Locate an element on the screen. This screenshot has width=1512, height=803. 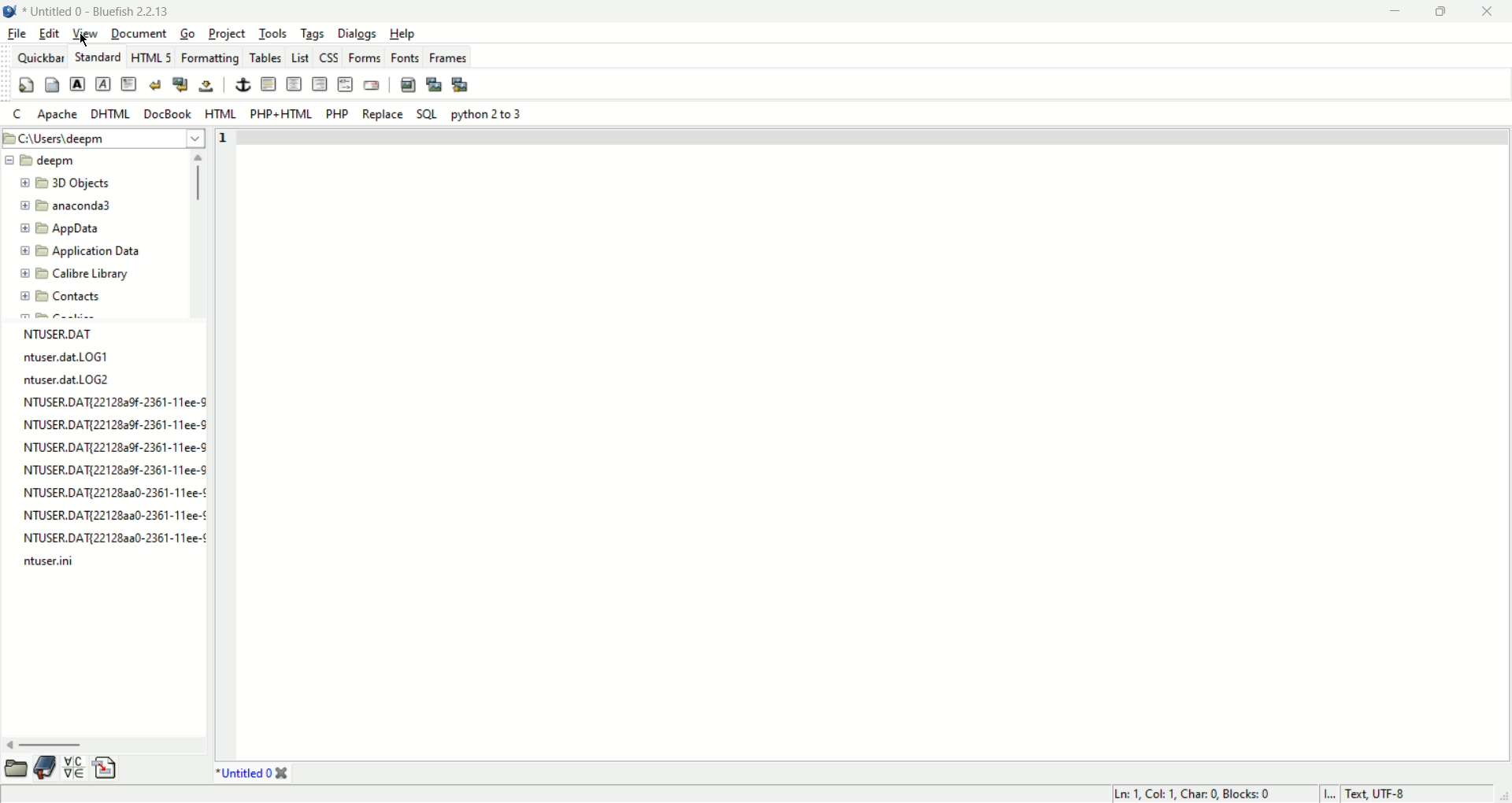
ntuser.dat.LOG1 is located at coordinates (66, 356).